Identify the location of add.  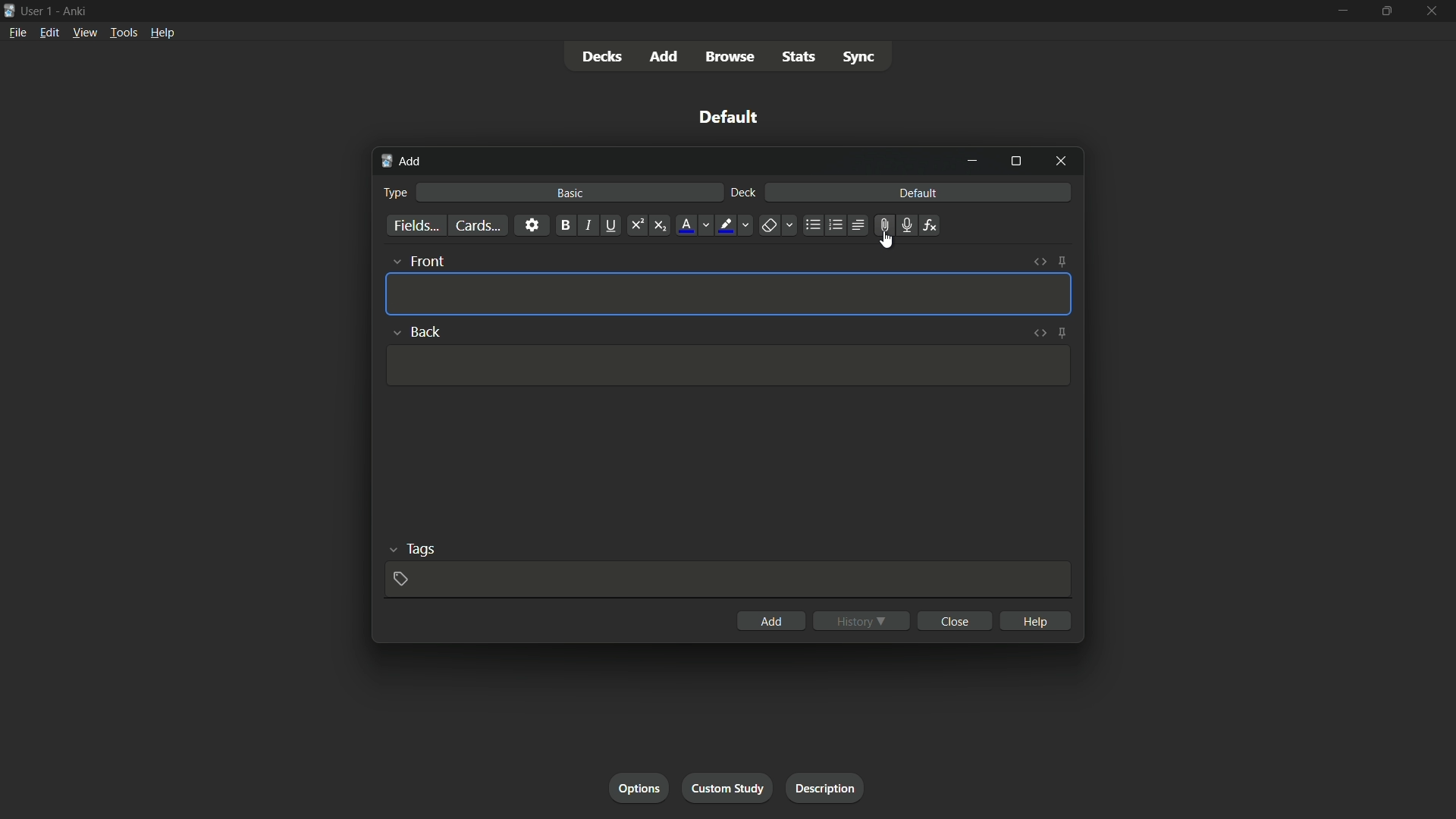
(662, 56).